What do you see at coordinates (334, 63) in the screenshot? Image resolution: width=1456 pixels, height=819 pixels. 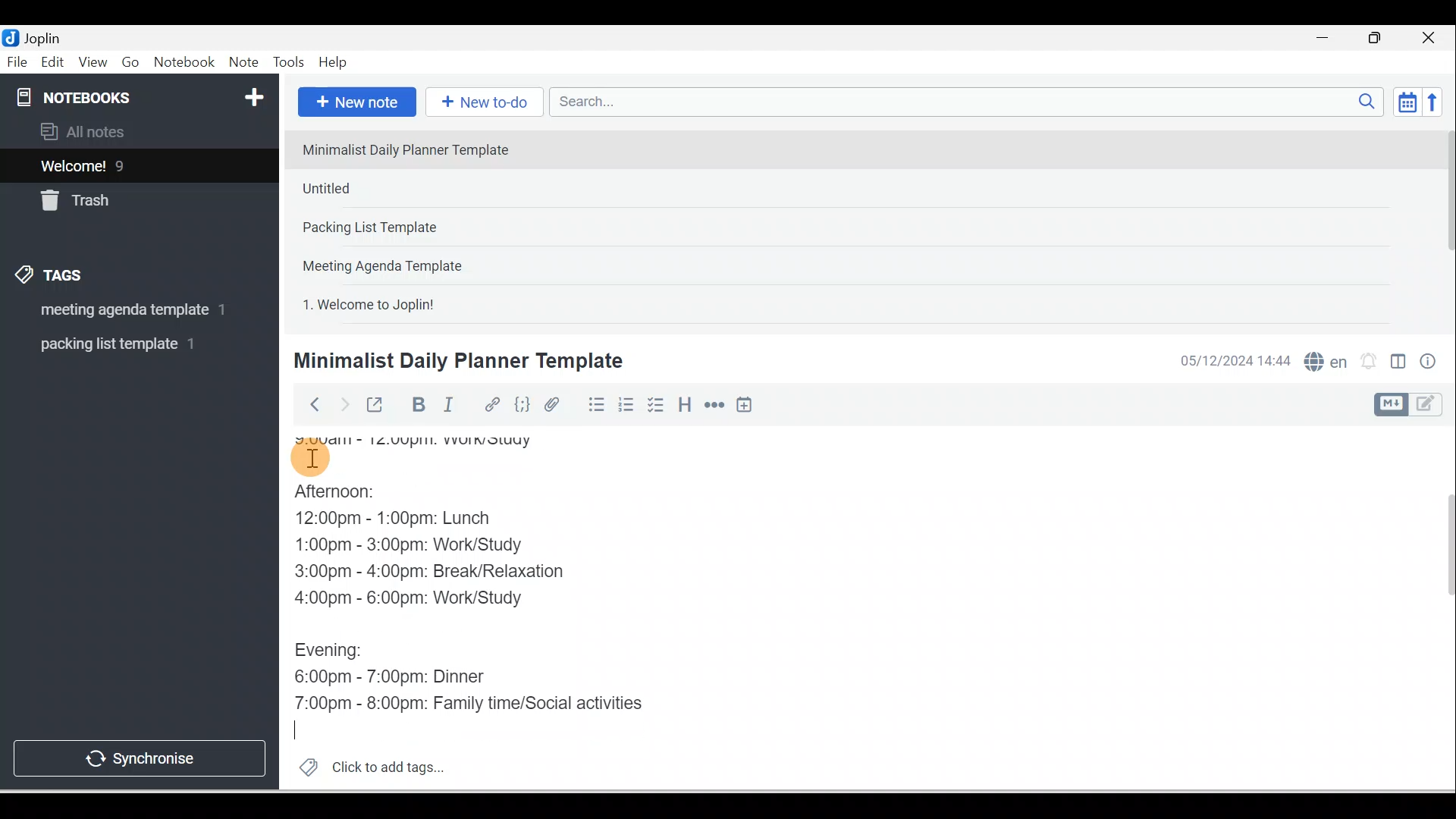 I see `Help` at bounding box center [334, 63].